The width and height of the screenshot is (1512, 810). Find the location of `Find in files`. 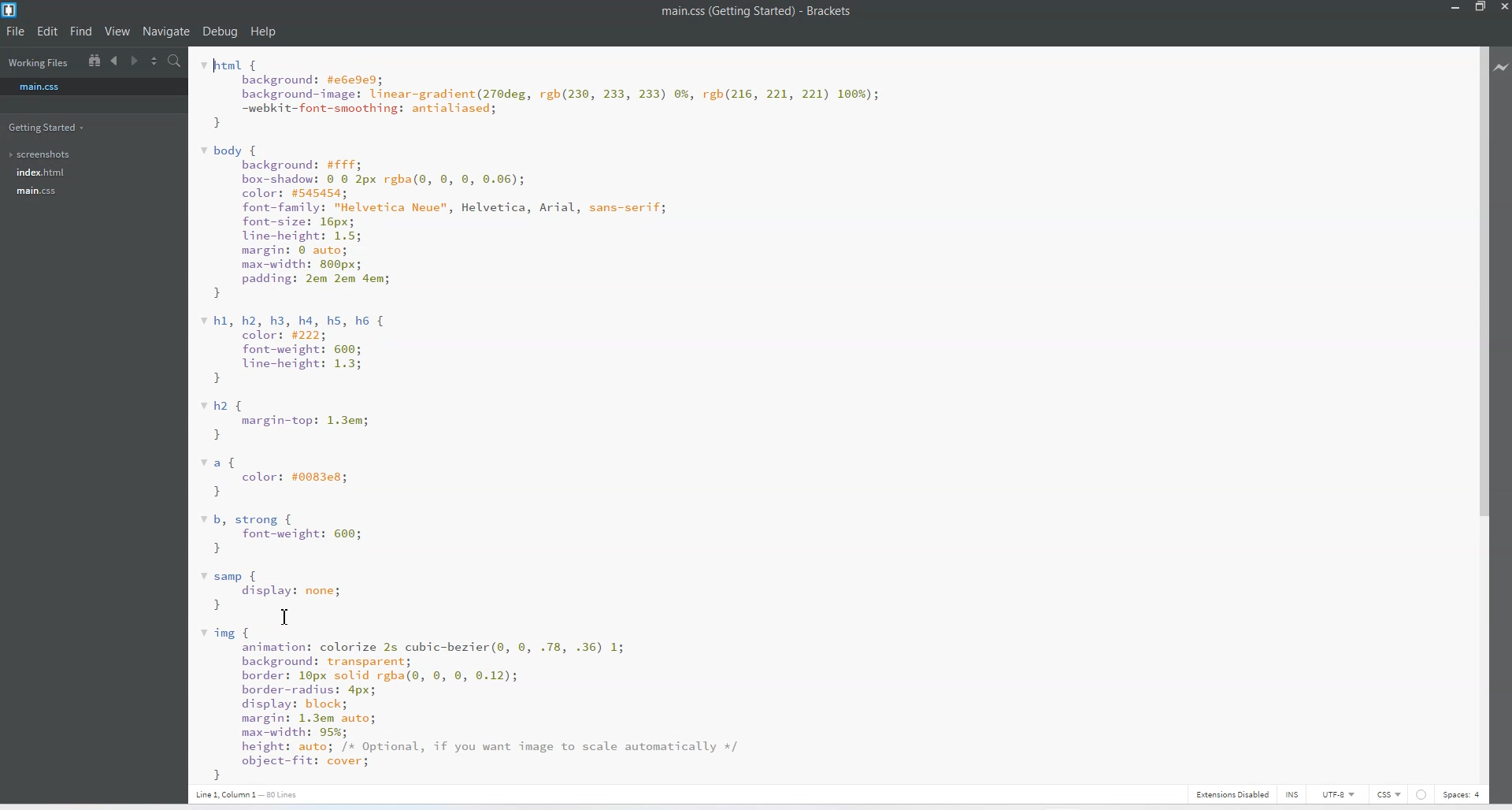

Find in files is located at coordinates (176, 61).